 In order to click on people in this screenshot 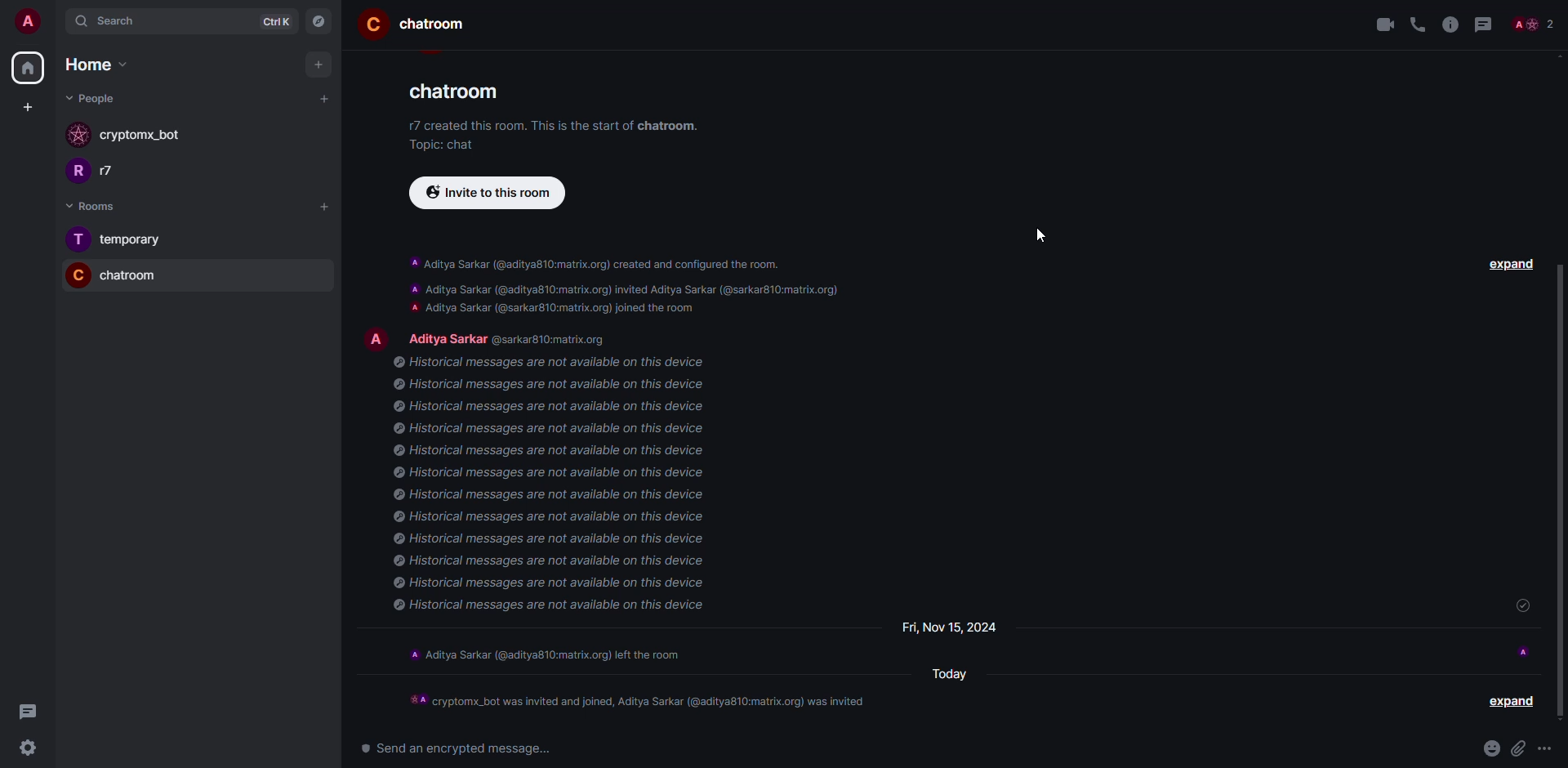, I will do `click(1534, 23)`.